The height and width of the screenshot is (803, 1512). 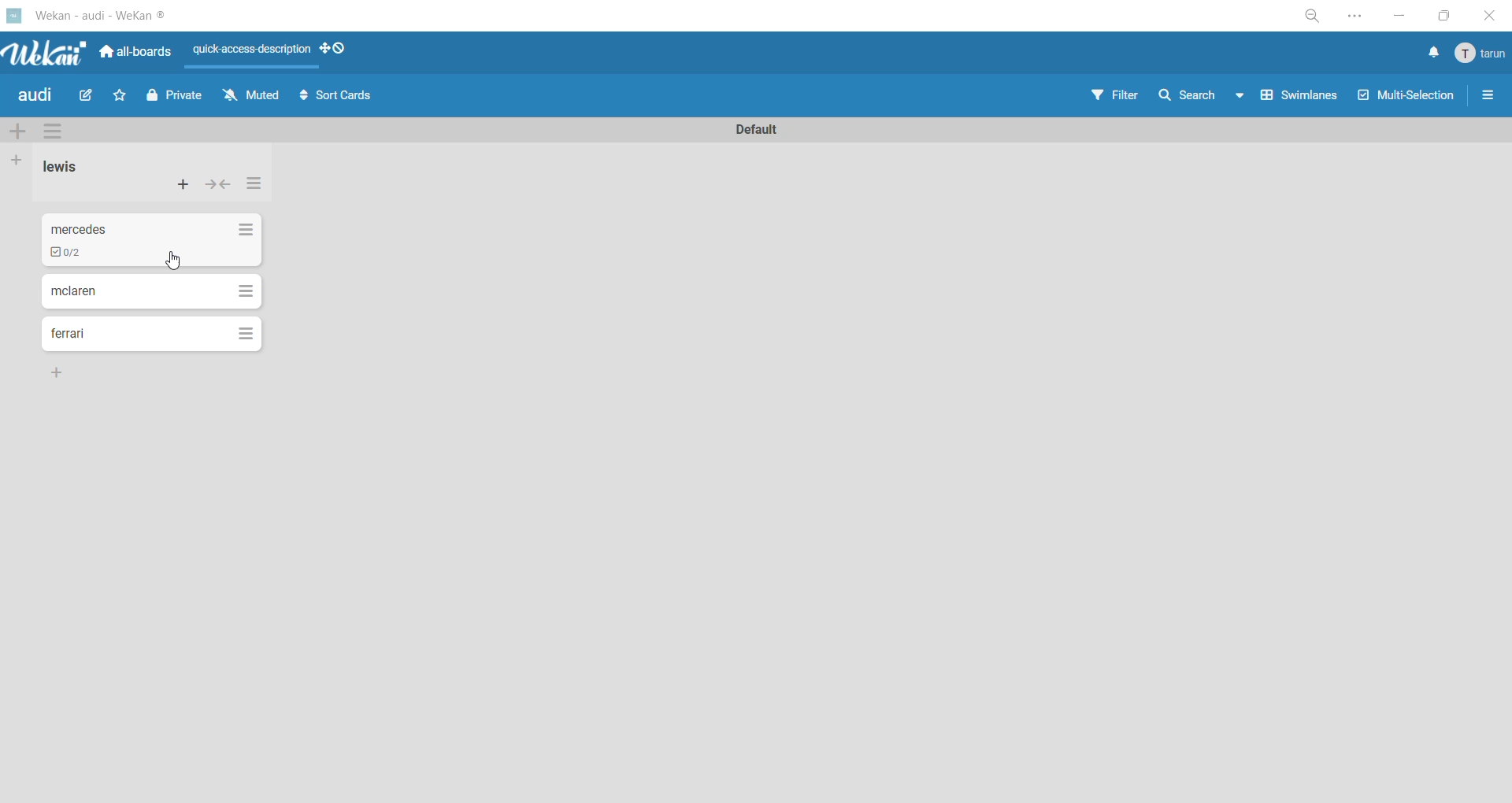 What do you see at coordinates (117, 94) in the screenshot?
I see `star` at bounding box center [117, 94].